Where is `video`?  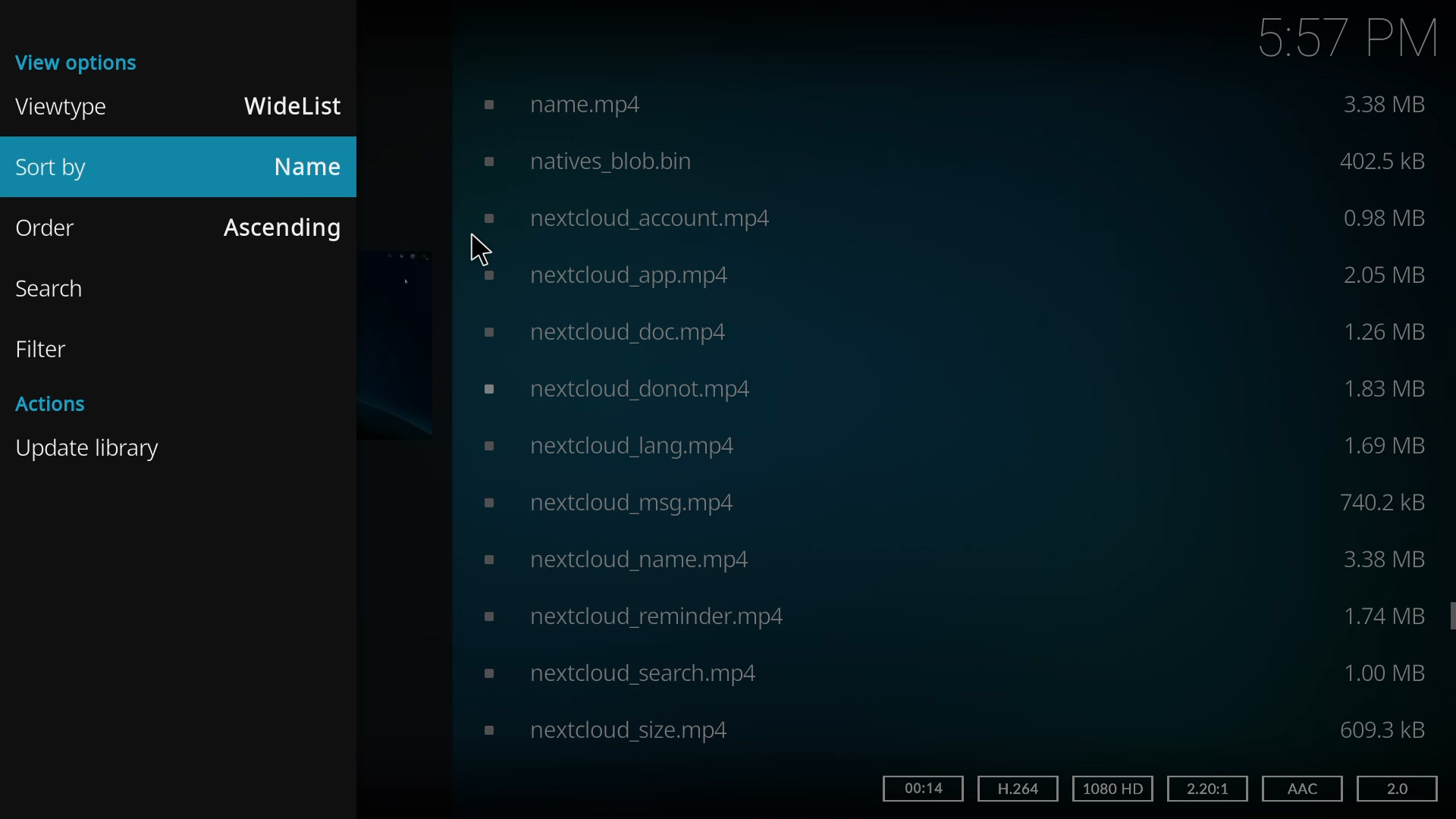 video is located at coordinates (631, 616).